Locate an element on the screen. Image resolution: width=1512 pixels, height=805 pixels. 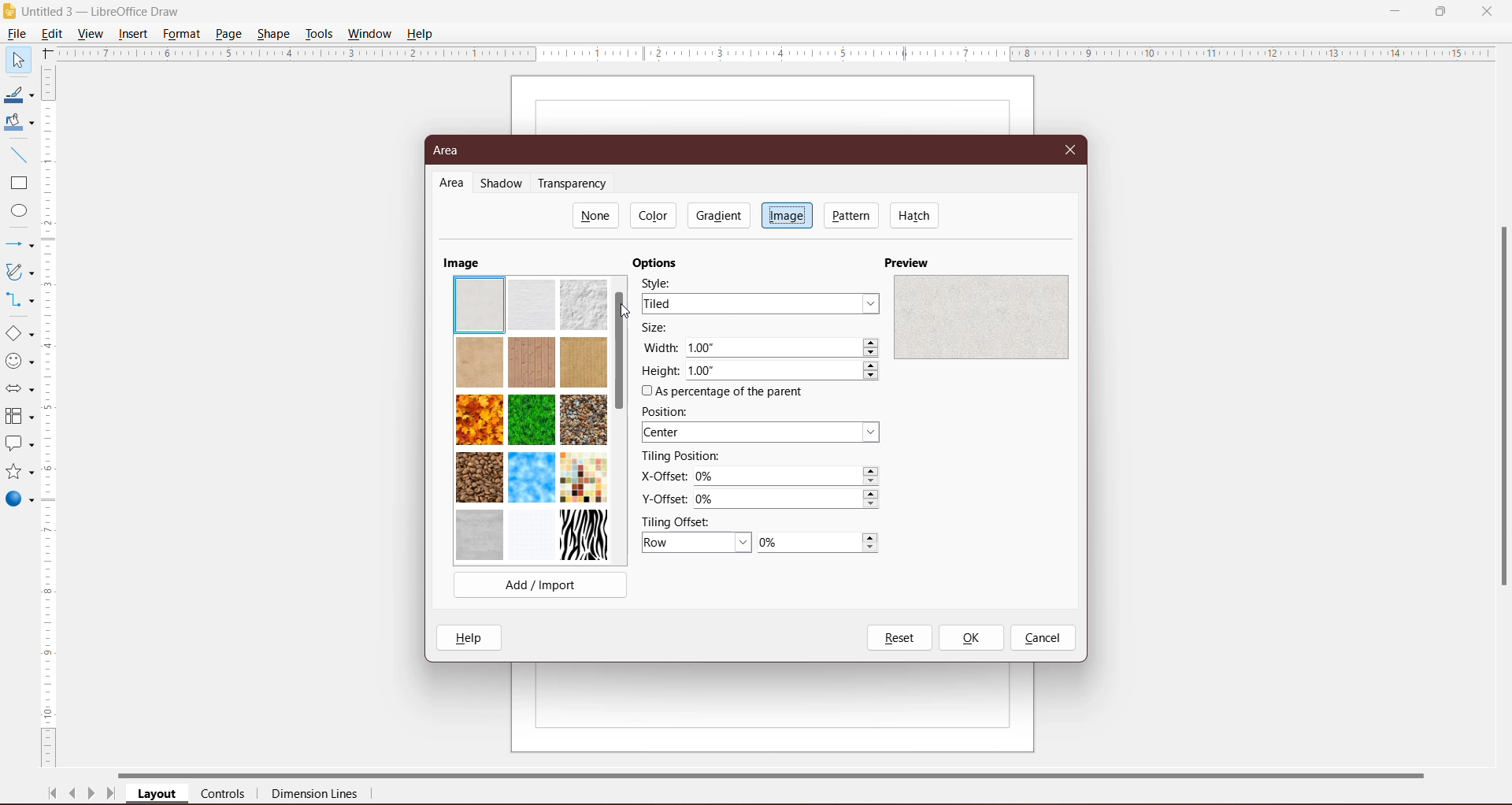
View is located at coordinates (91, 33).